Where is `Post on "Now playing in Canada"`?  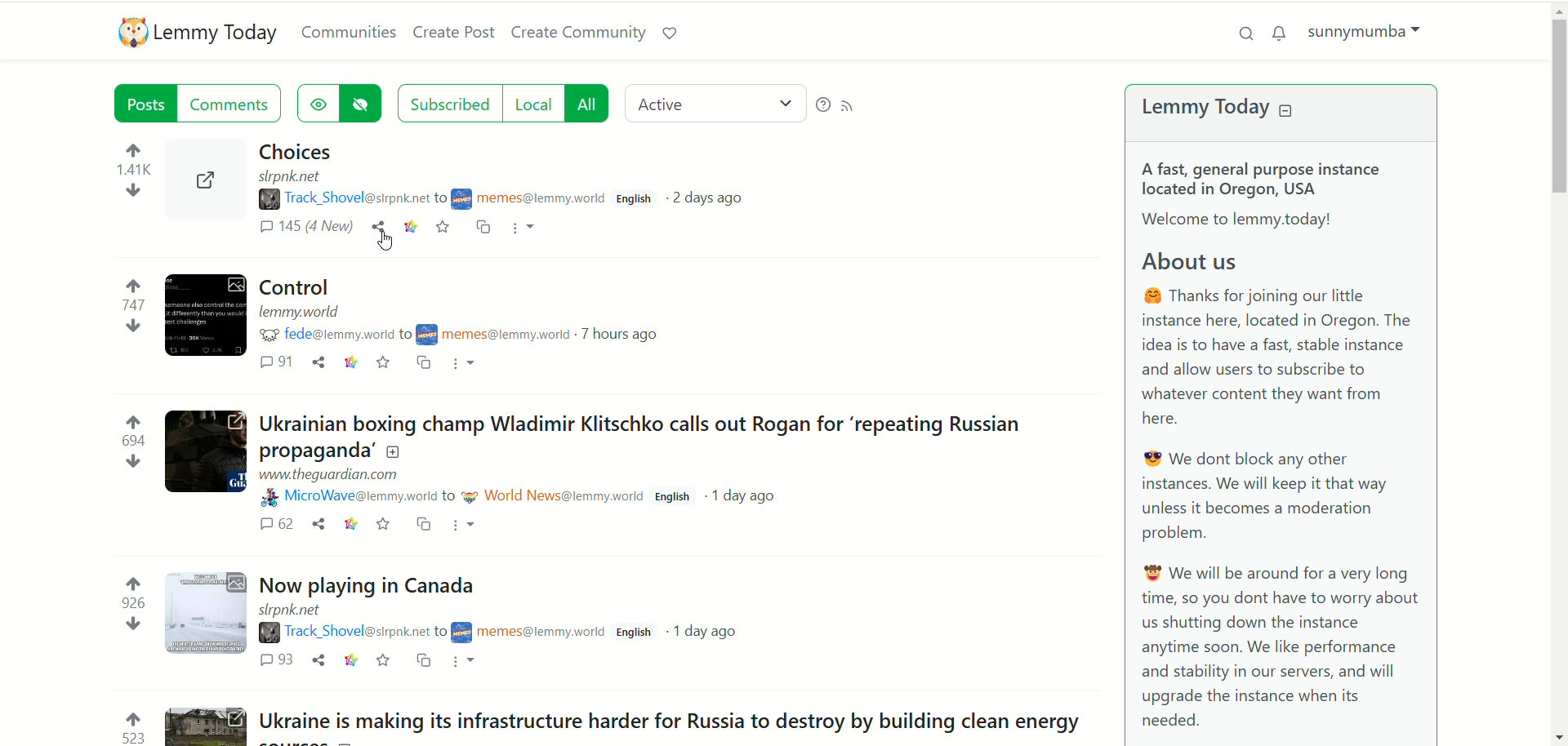
Post on "Now playing in Canada" is located at coordinates (365, 583).